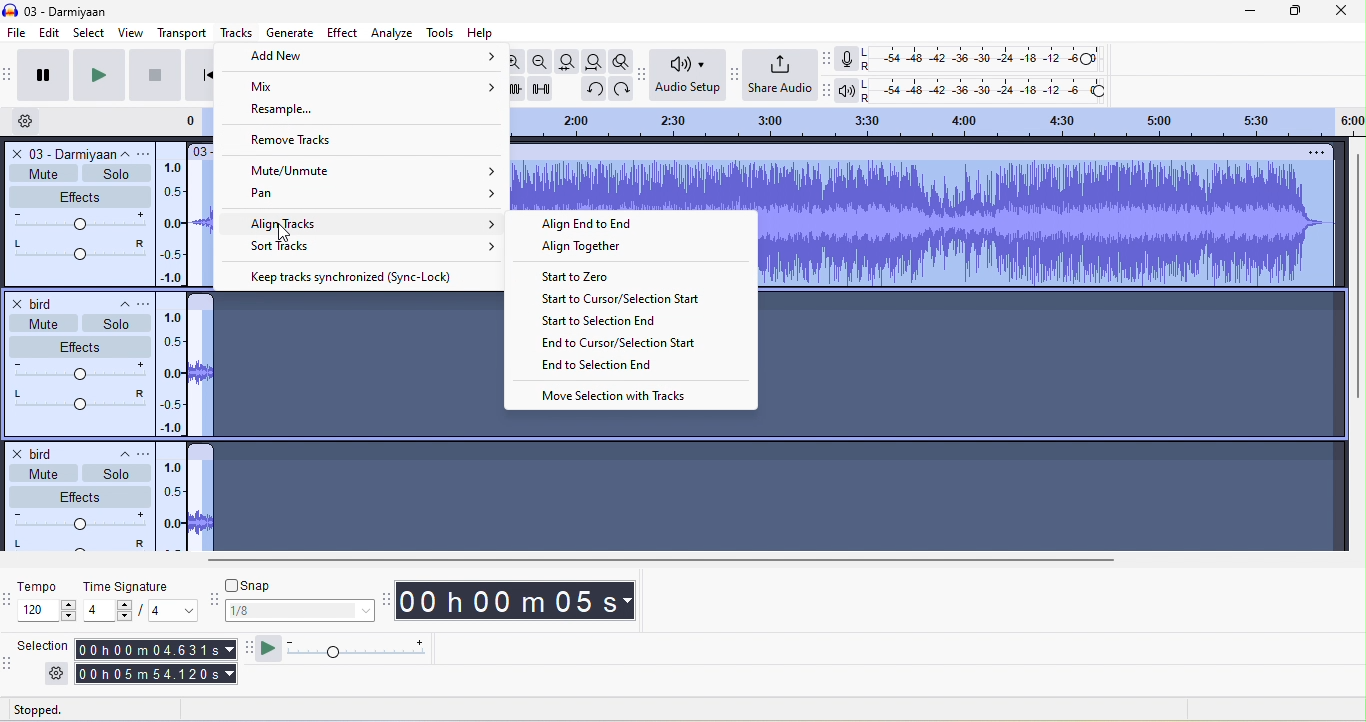 The image size is (1366, 722). What do you see at coordinates (486, 31) in the screenshot?
I see `help` at bounding box center [486, 31].